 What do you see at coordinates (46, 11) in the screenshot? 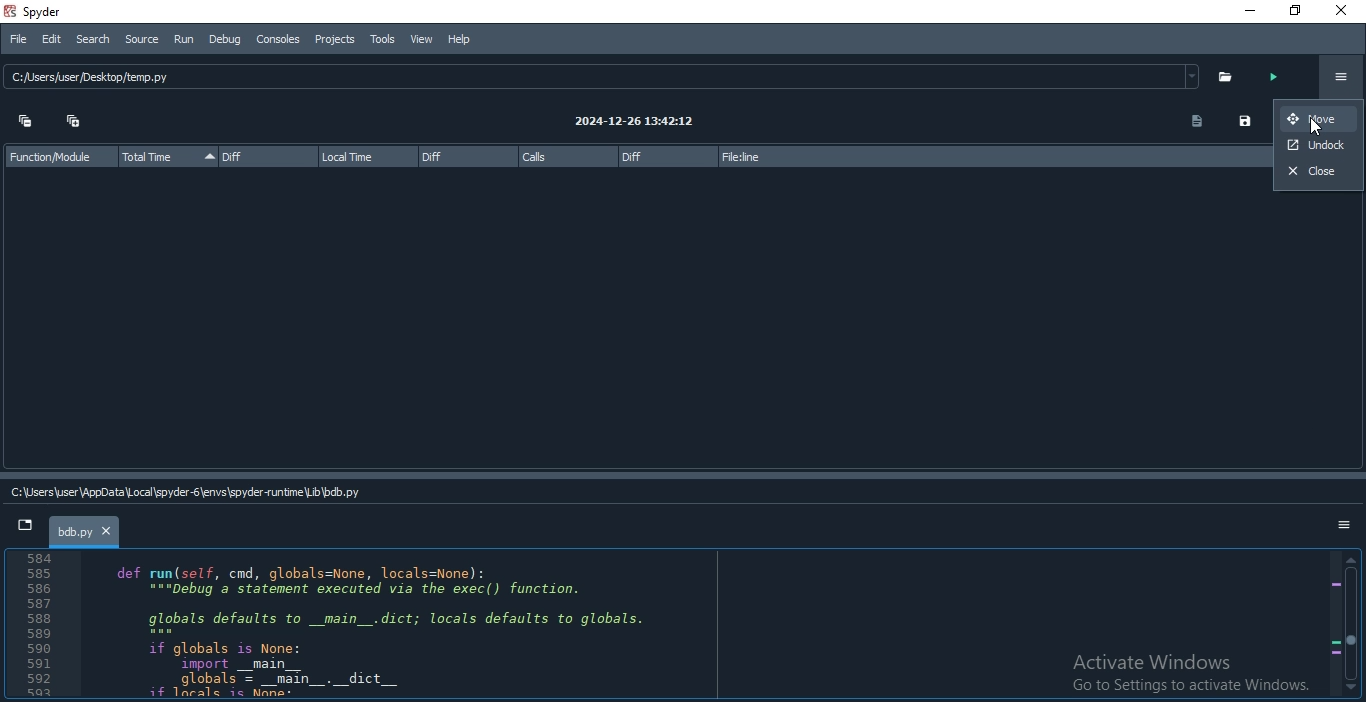
I see `spyder` at bounding box center [46, 11].